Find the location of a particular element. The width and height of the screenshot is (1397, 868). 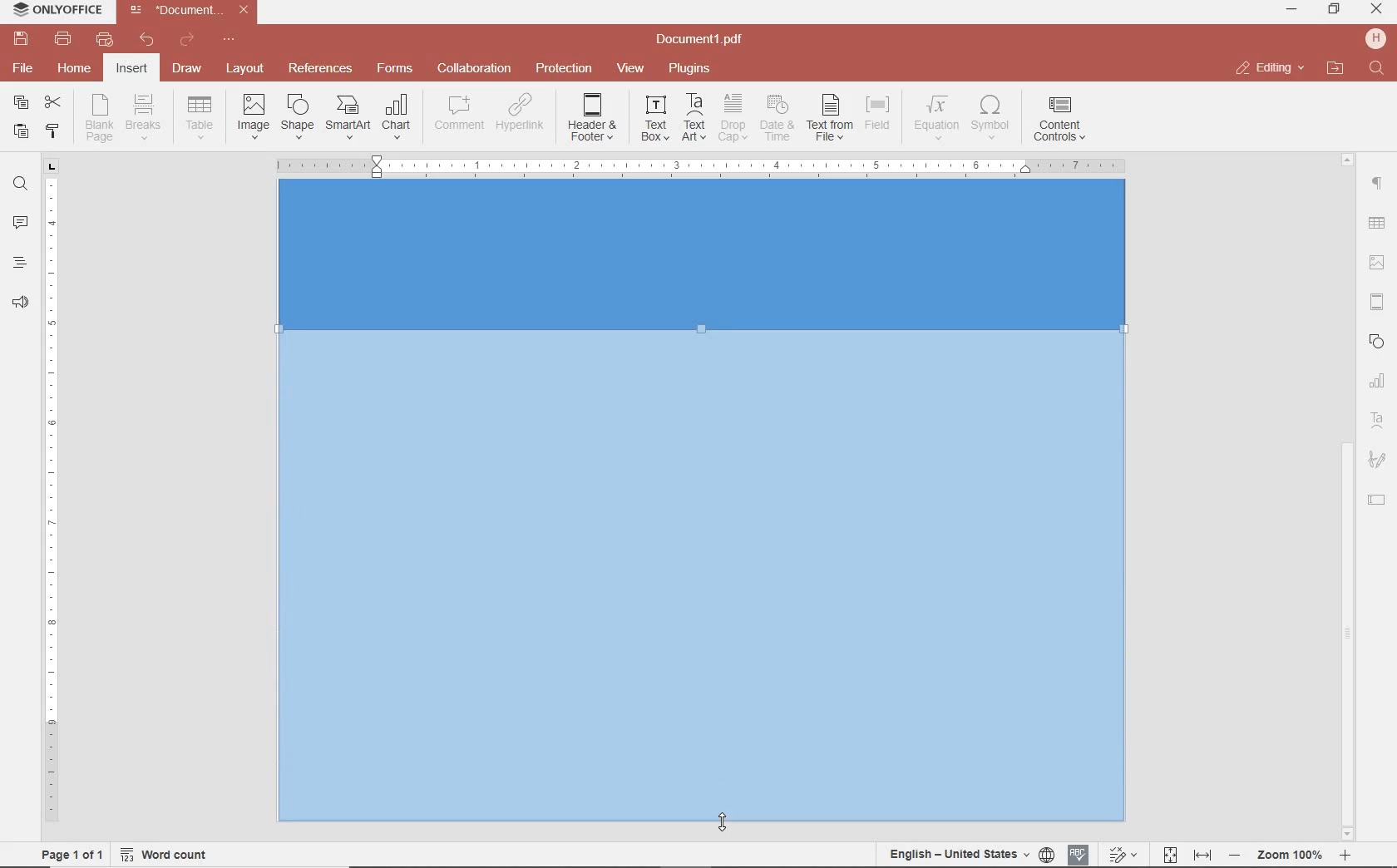

view is located at coordinates (630, 69).